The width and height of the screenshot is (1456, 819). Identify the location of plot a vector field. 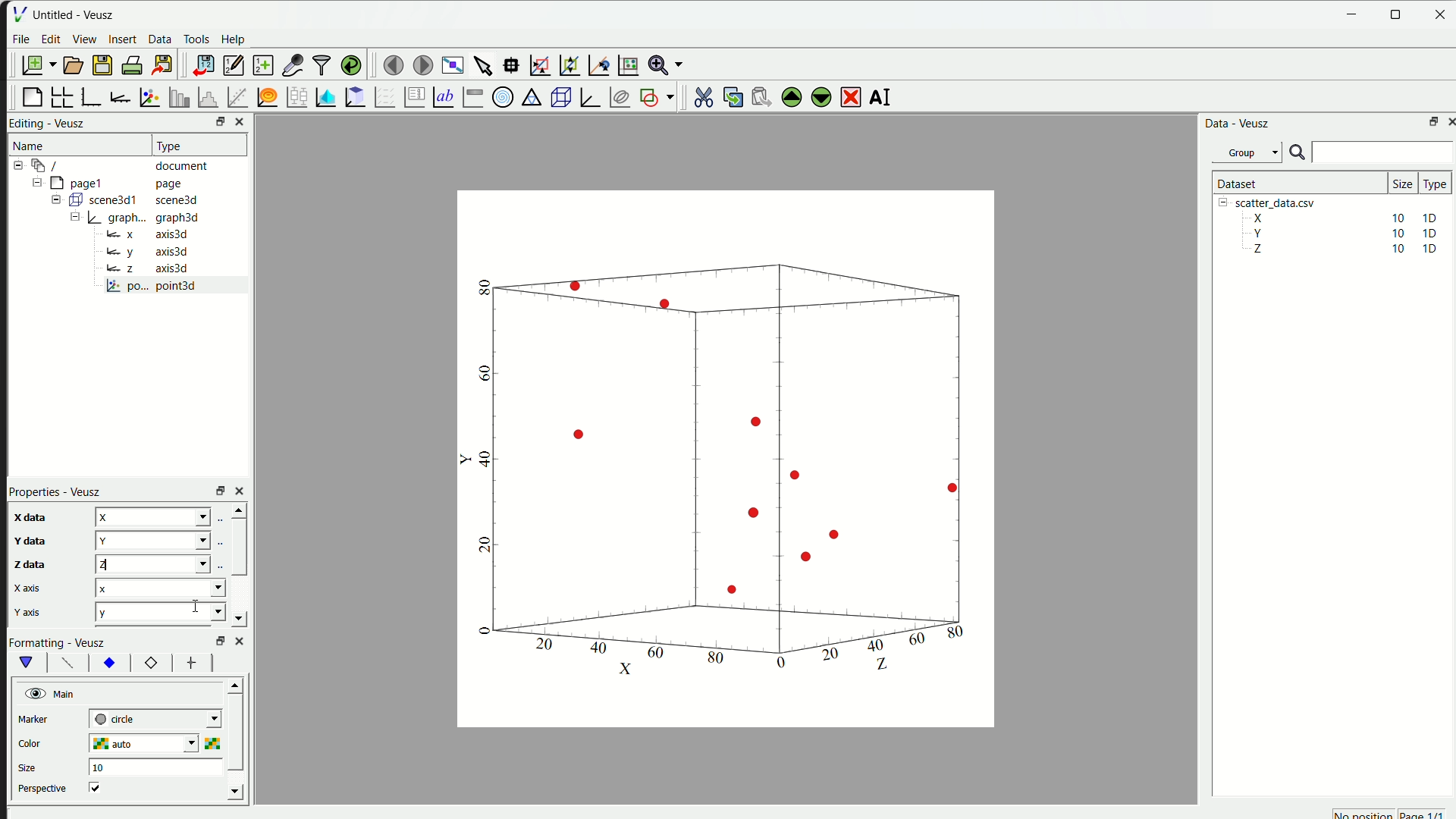
(382, 97).